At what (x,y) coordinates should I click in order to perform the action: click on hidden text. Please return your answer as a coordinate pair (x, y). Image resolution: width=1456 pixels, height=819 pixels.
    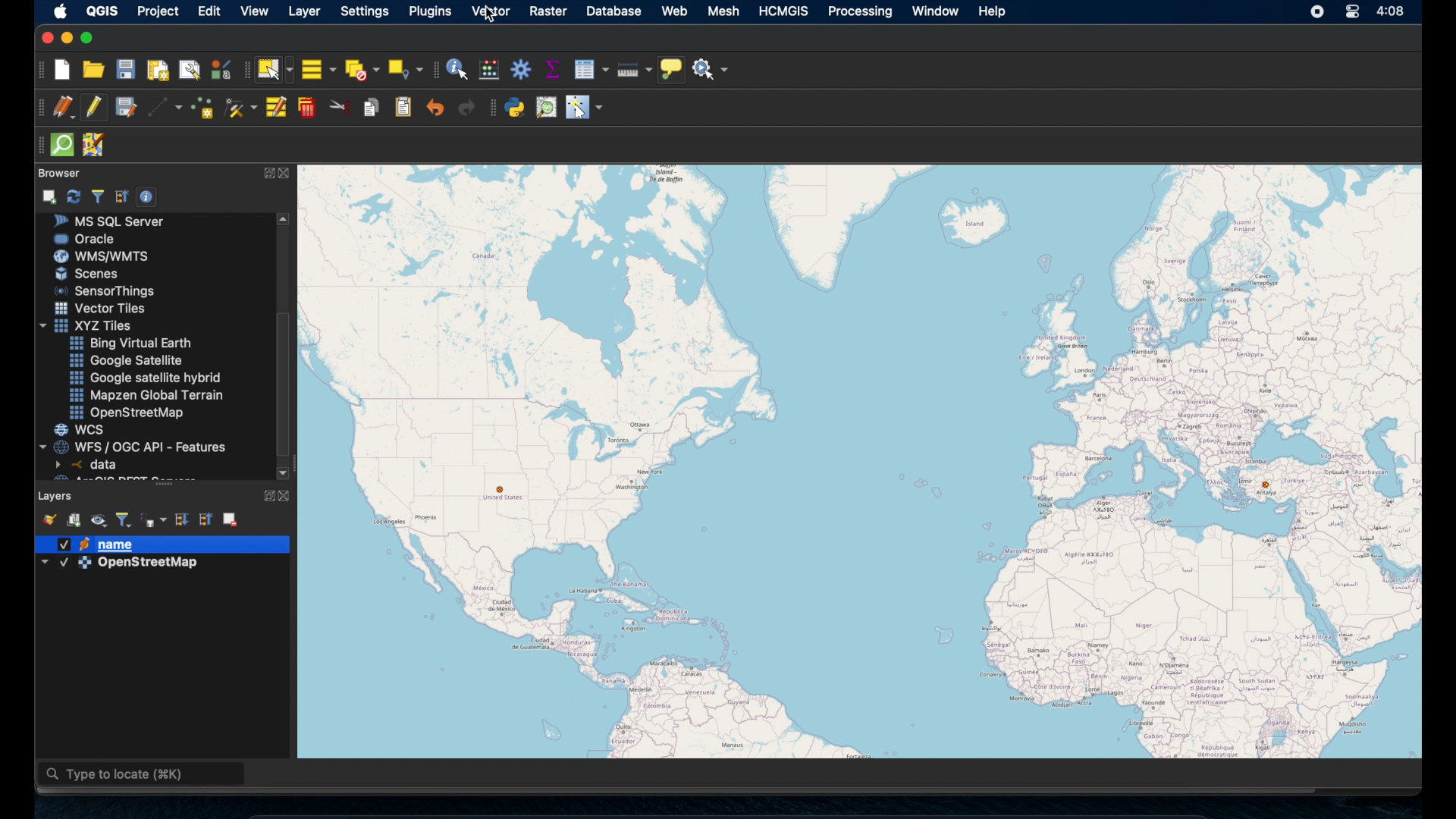
    Looking at the image, I should click on (112, 478).